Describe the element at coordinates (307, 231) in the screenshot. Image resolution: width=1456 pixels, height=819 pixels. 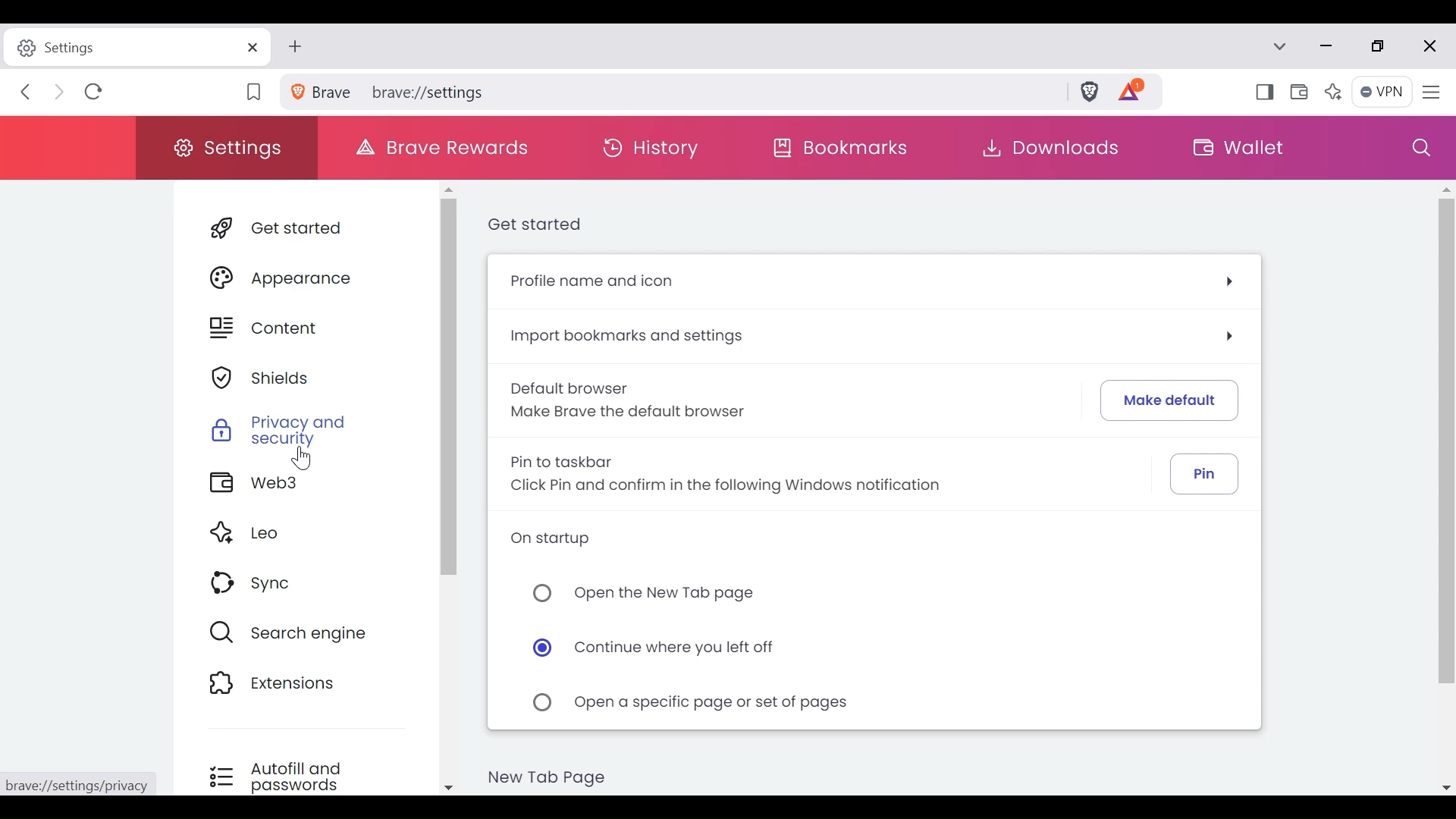
I see `Get Starte` at that location.